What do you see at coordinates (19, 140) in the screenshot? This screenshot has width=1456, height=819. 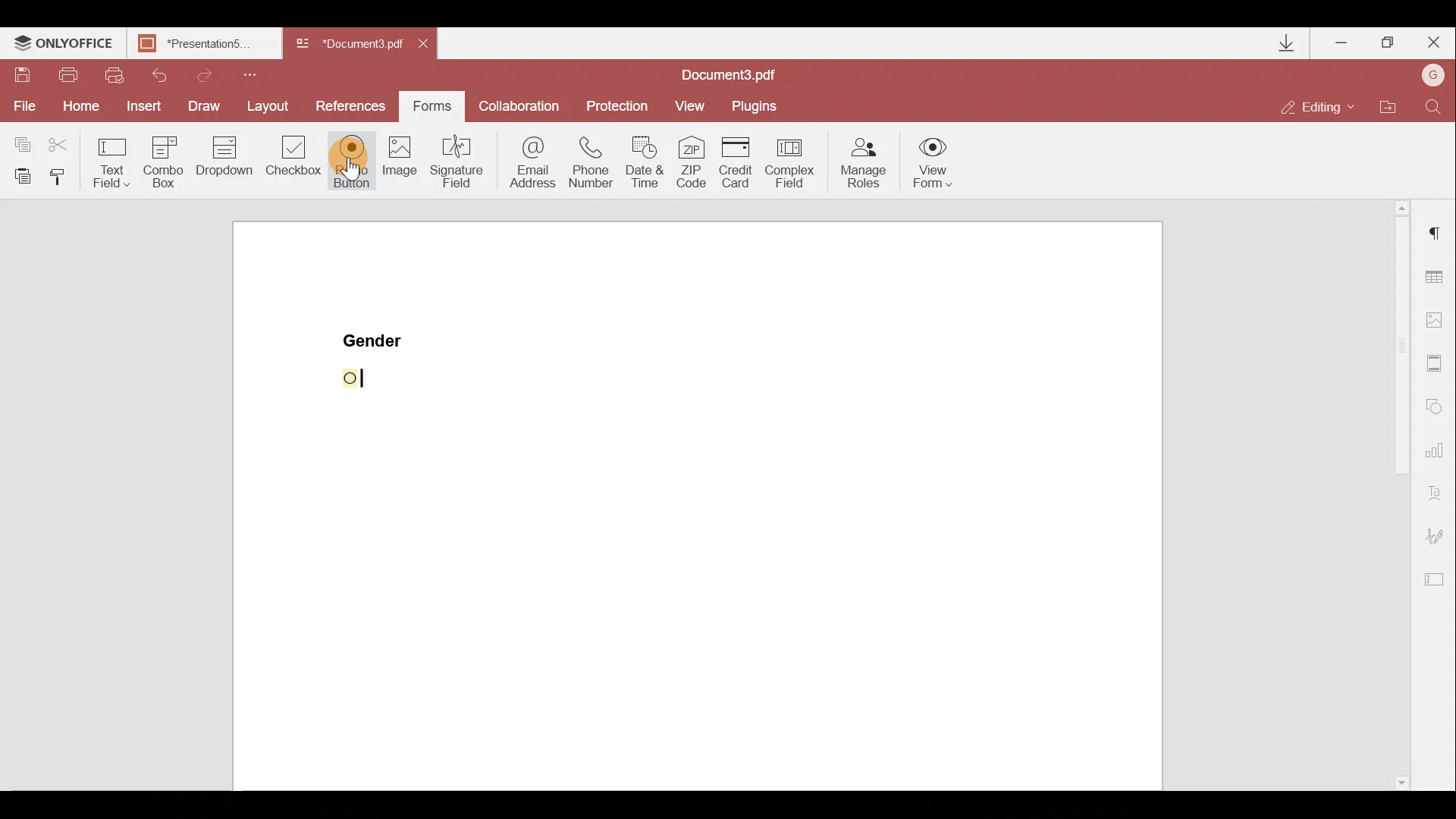 I see `Copy` at bounding box center [19, 140].